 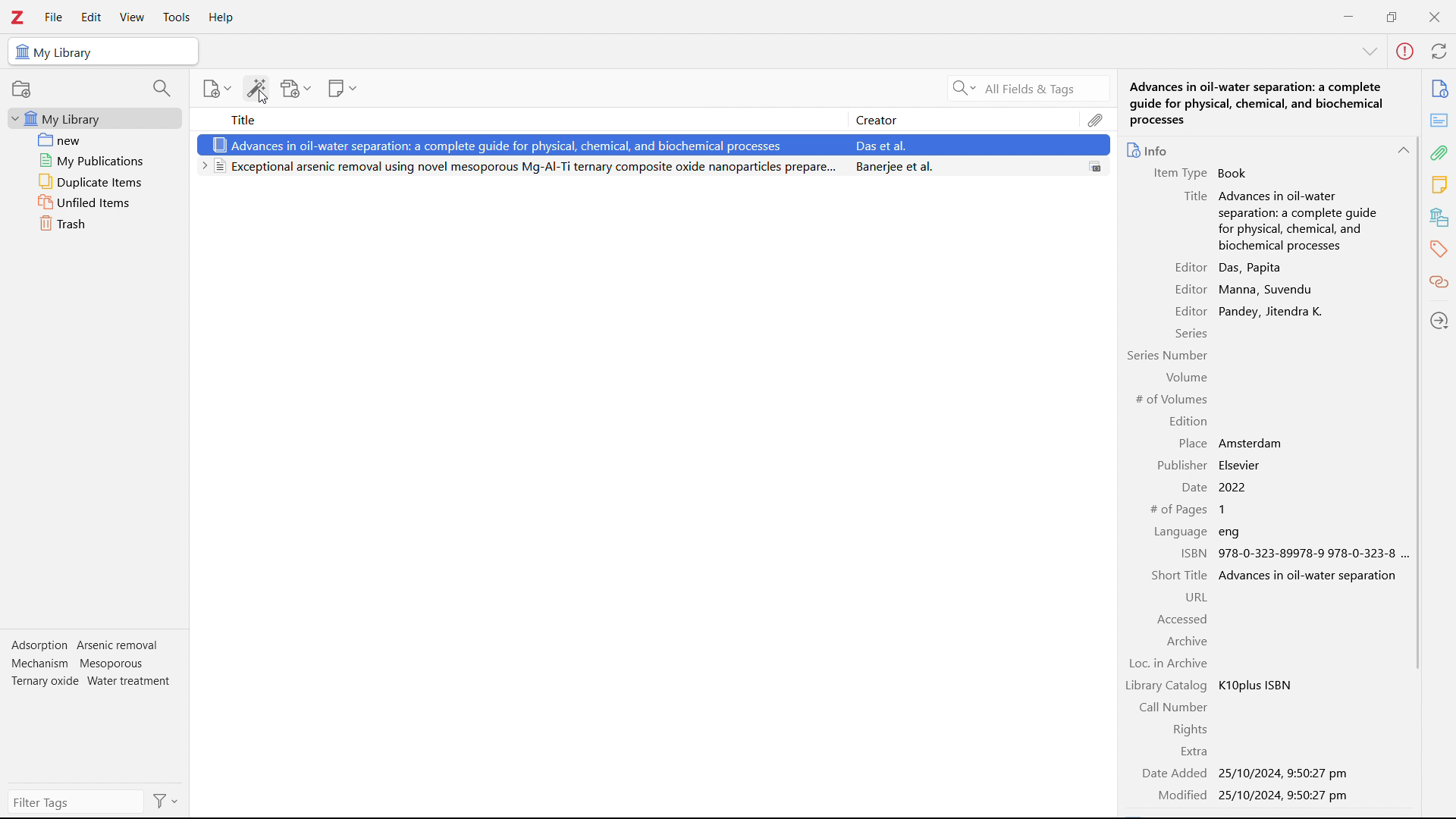 I want to click on logo, so click(x=17, y=17).